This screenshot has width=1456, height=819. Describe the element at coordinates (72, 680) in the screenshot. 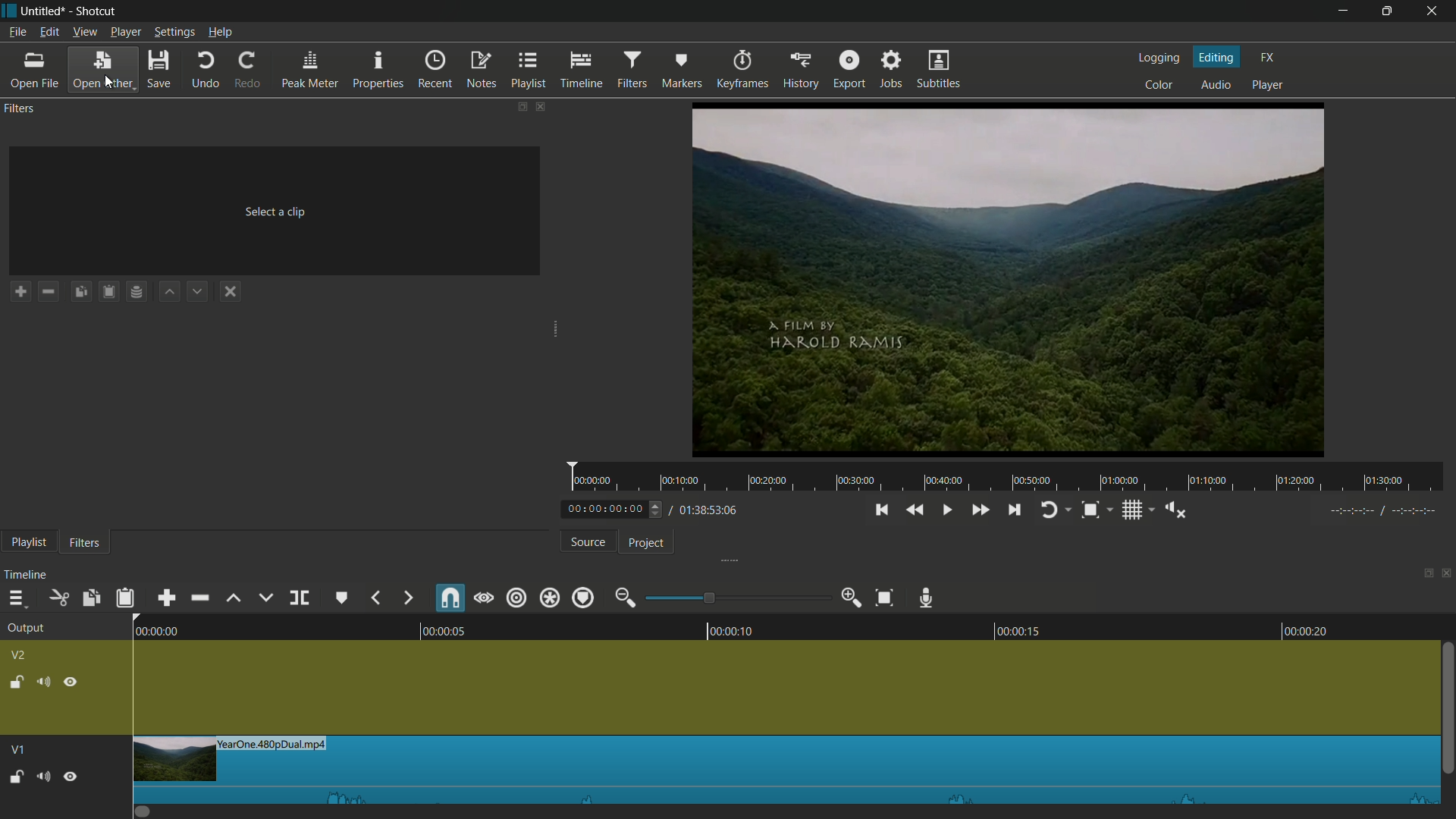

I see `hide` at that location.